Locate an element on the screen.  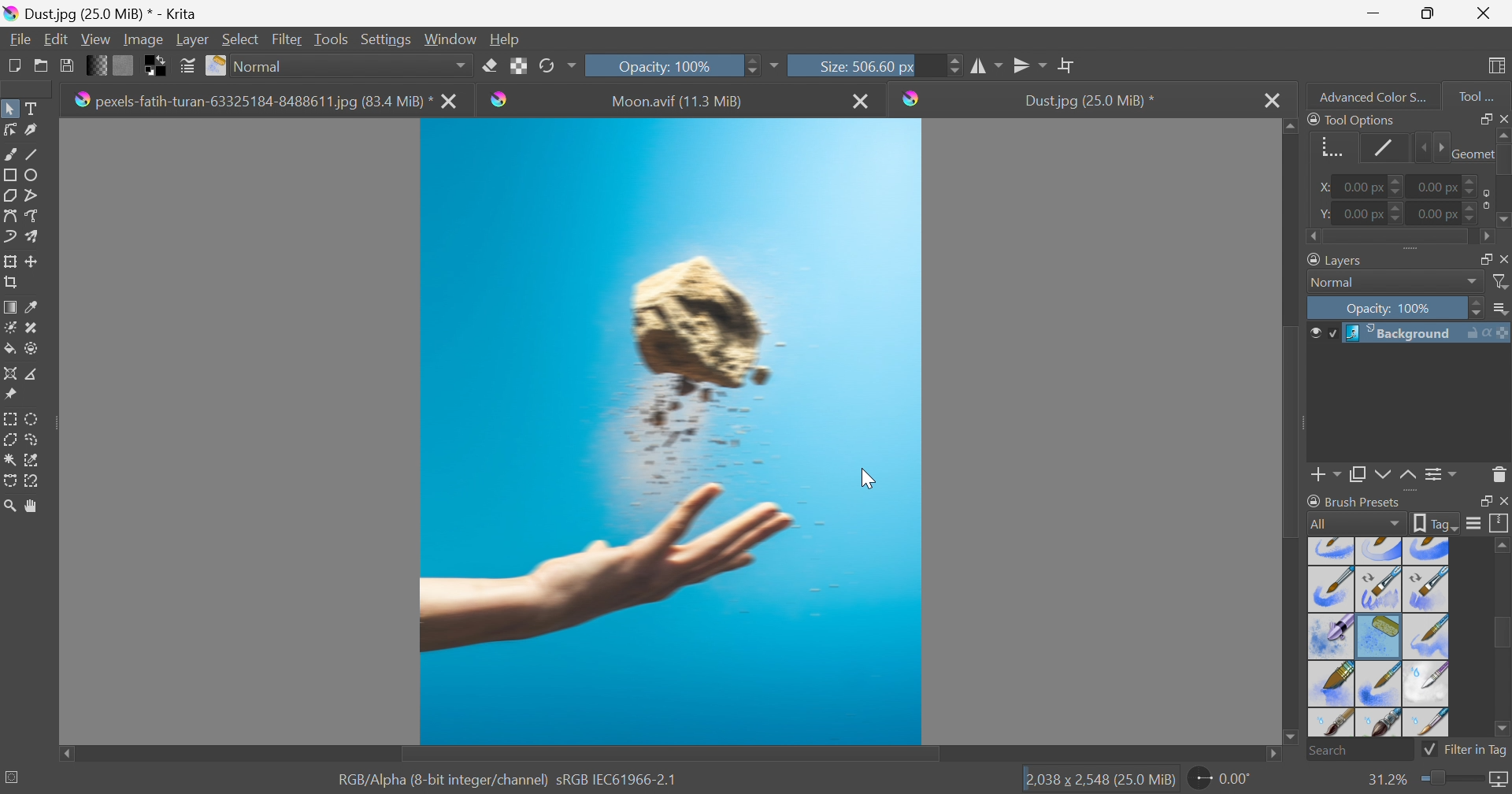
Icon is located at coordinates (1483, 198).